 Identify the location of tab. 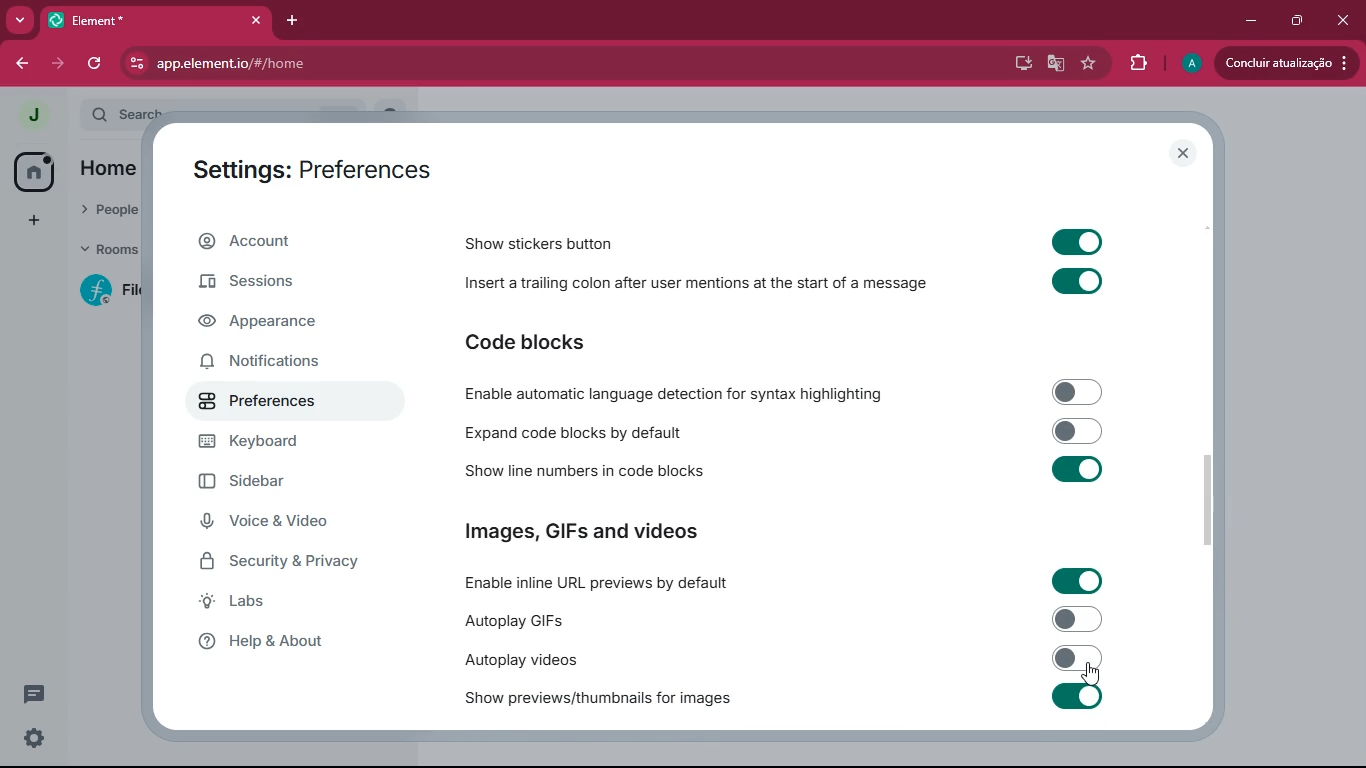
(145, 21).